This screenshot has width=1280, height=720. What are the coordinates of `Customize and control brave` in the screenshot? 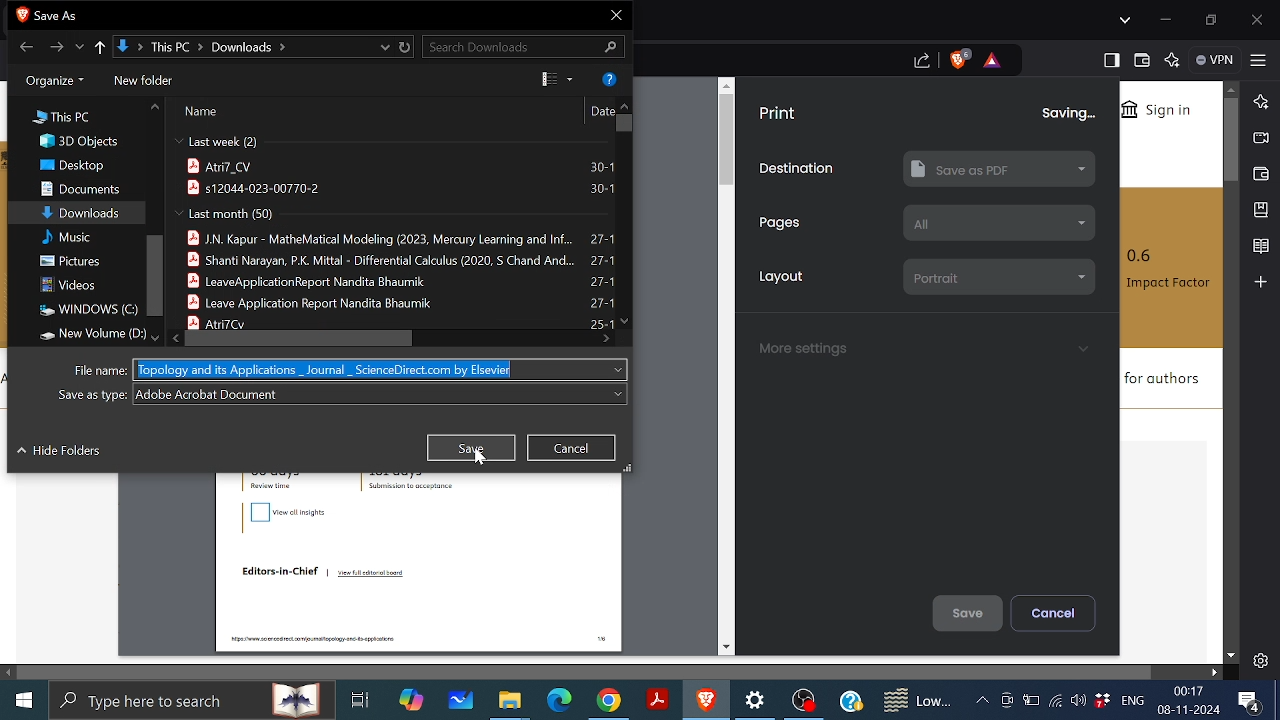 It's located at (1259, 60).